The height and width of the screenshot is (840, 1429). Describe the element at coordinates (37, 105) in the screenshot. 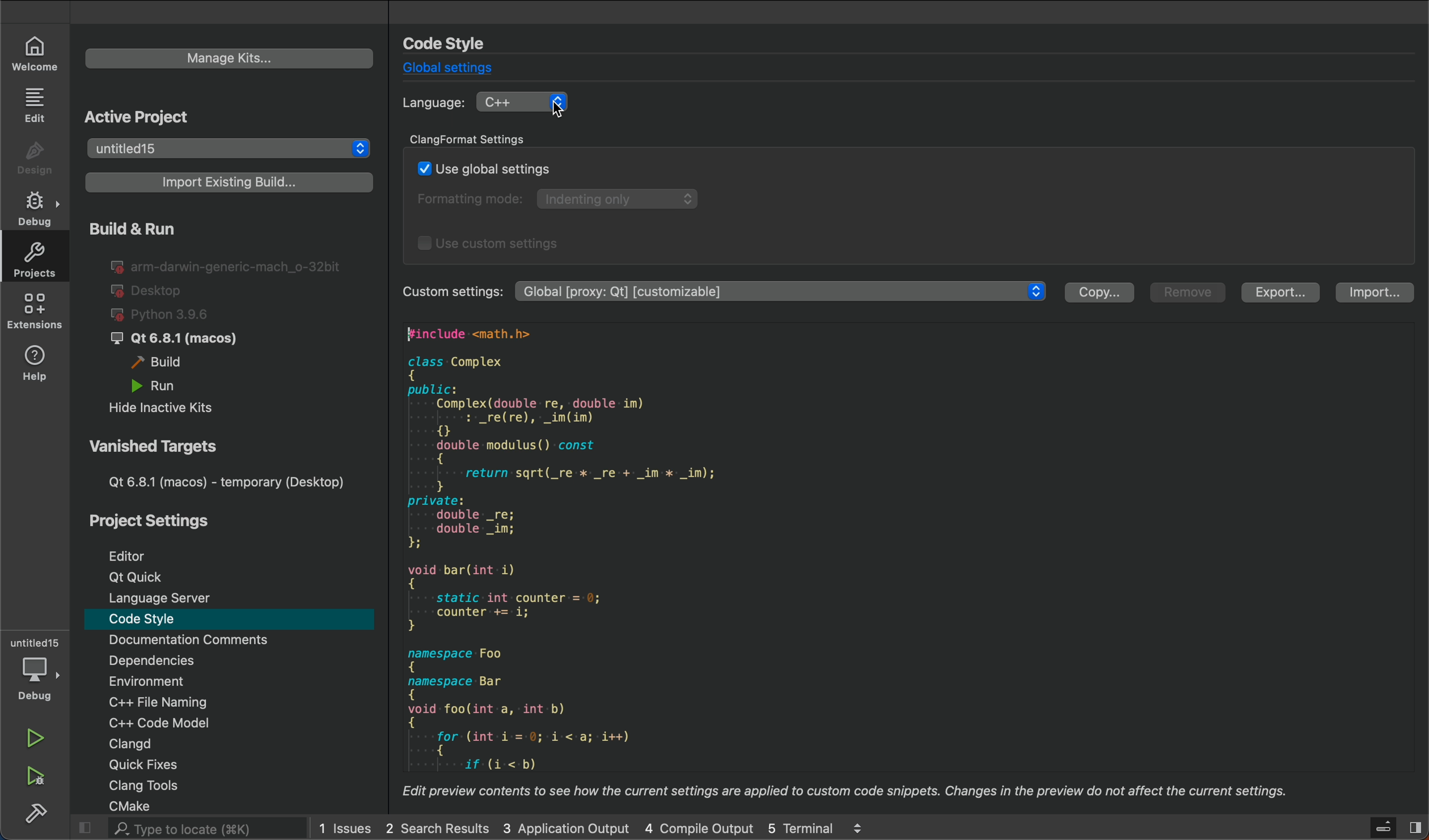

I see `edit` at that location.